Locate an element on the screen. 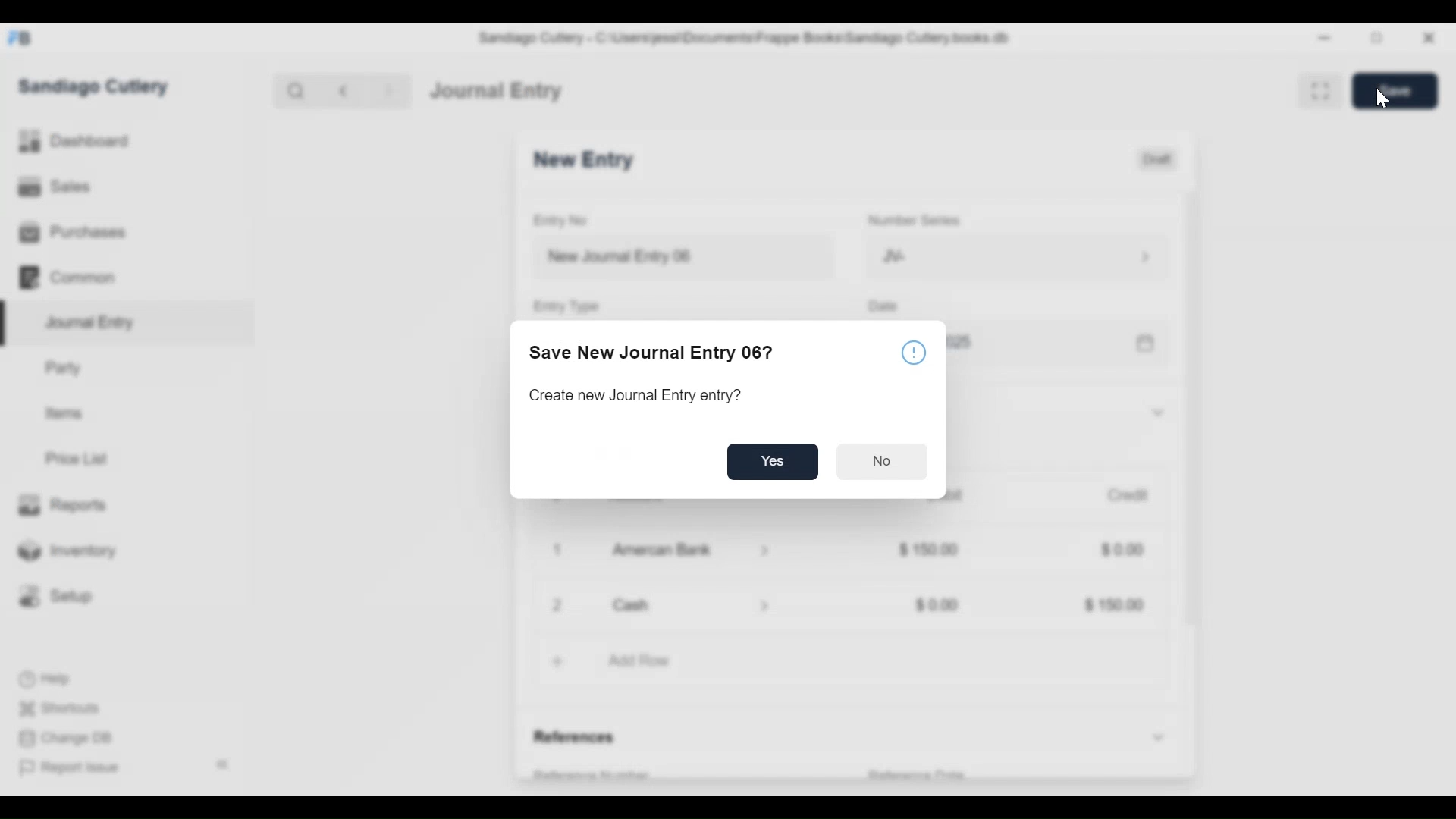 The width and height of the screenshot is (1456, 819). Create new Journal Entry entry? is located at coordinates (635, 395).